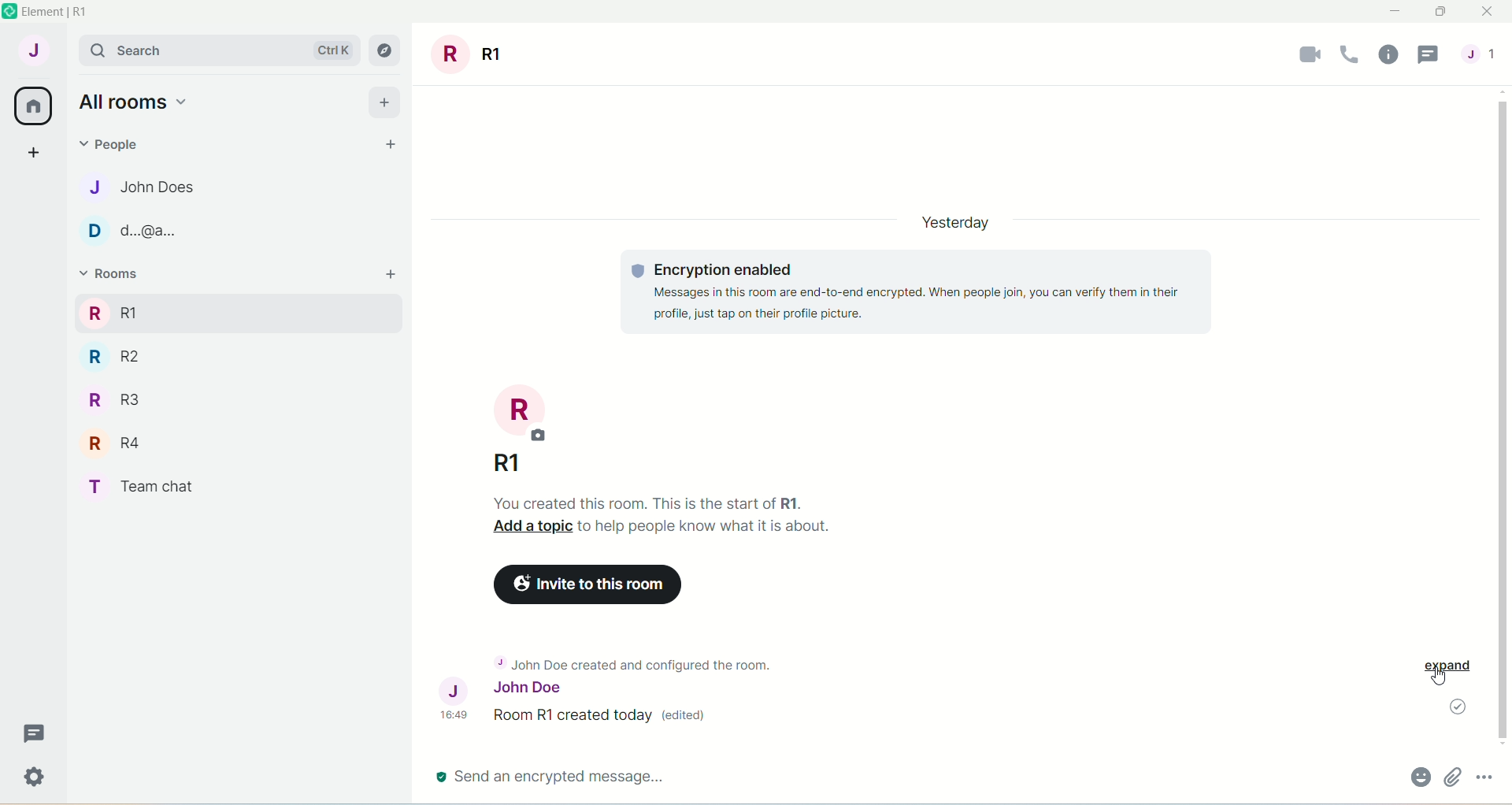  What do you see at coordinates (613, 721) in the screenshot?
I see `Room R1 created today (edited)` at bounding box center [613, 721].